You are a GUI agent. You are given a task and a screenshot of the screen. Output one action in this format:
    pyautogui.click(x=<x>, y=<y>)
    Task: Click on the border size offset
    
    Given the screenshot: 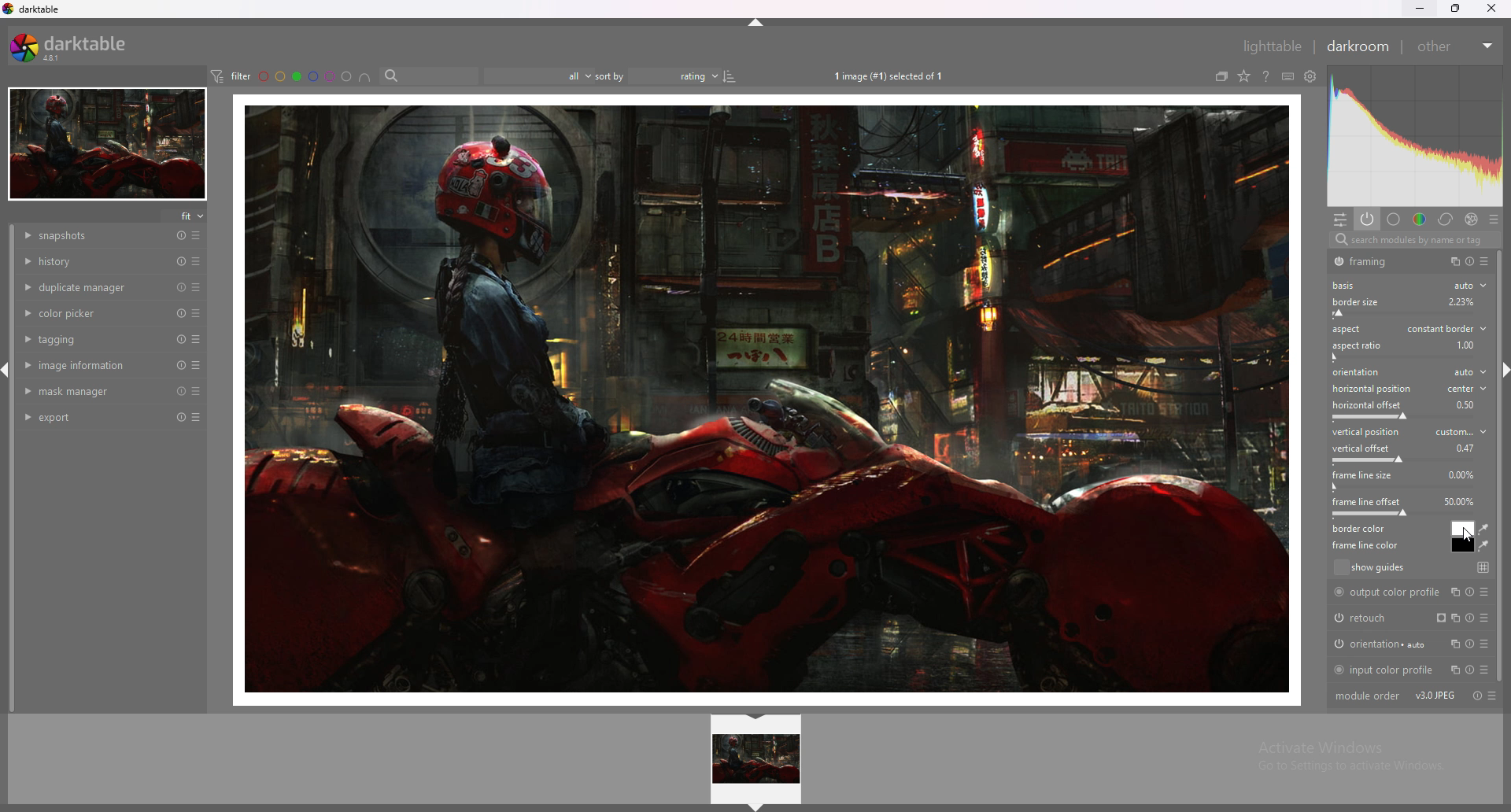 What is the action you would take?
    pyautogui.click(x=1406, y=315)
    